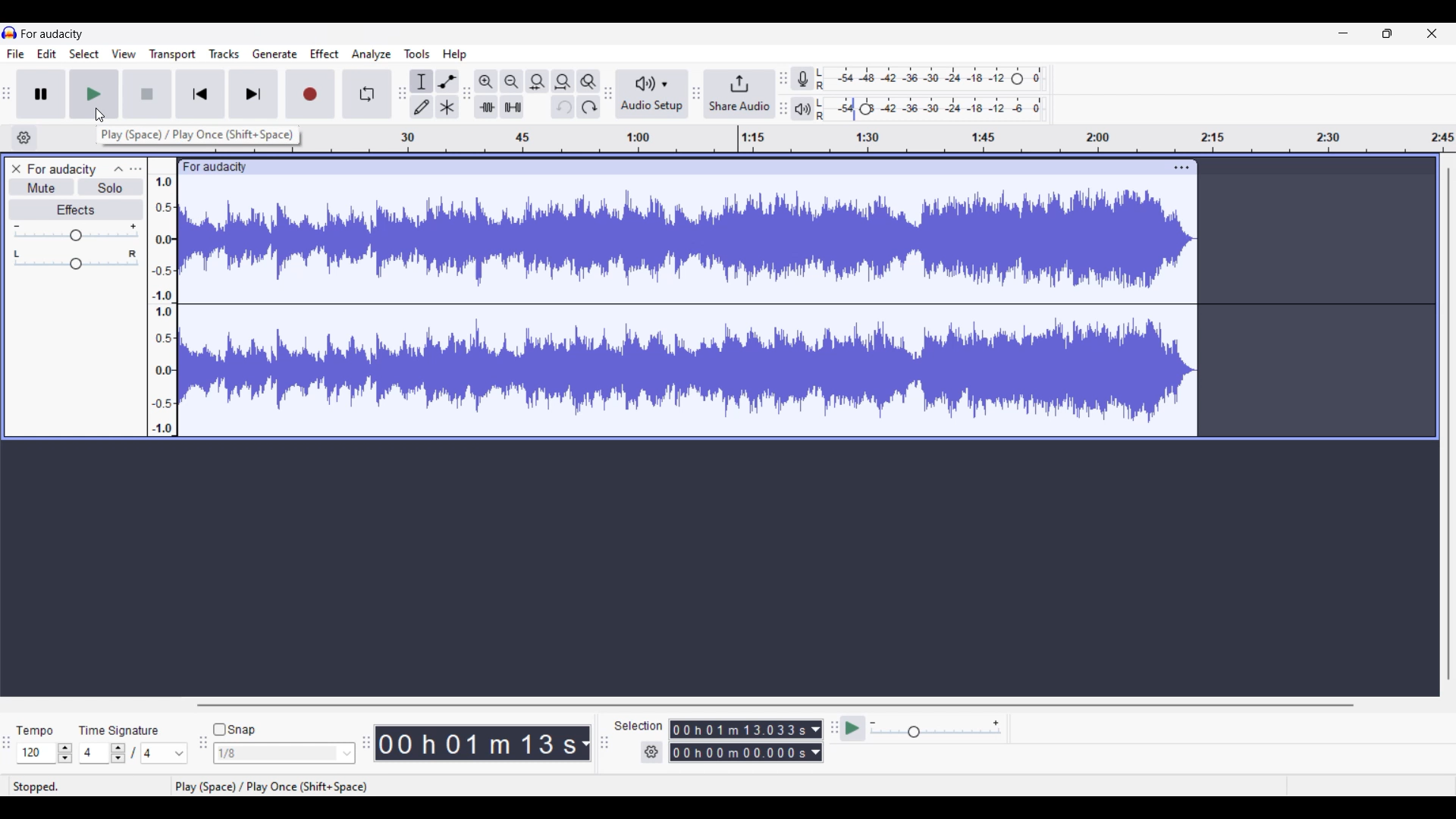 The height and width of the screenshot is (819, 1456). I want to click on Software logo, so click(10, 33).